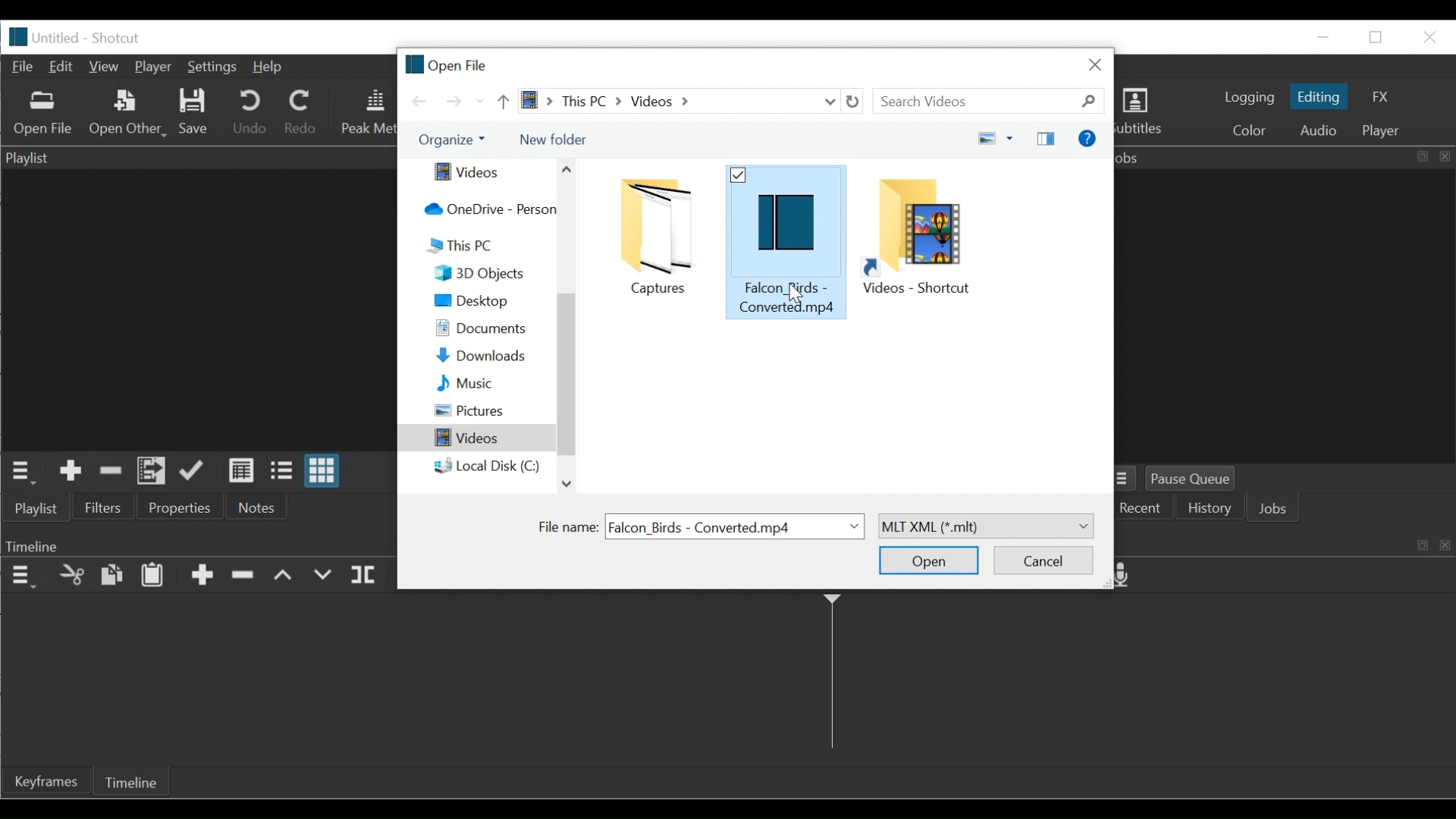 This screenshot has height=819, width=1456. Describe the element at coordinates (993, 102) in the screenshot. I see `Search` at that location.